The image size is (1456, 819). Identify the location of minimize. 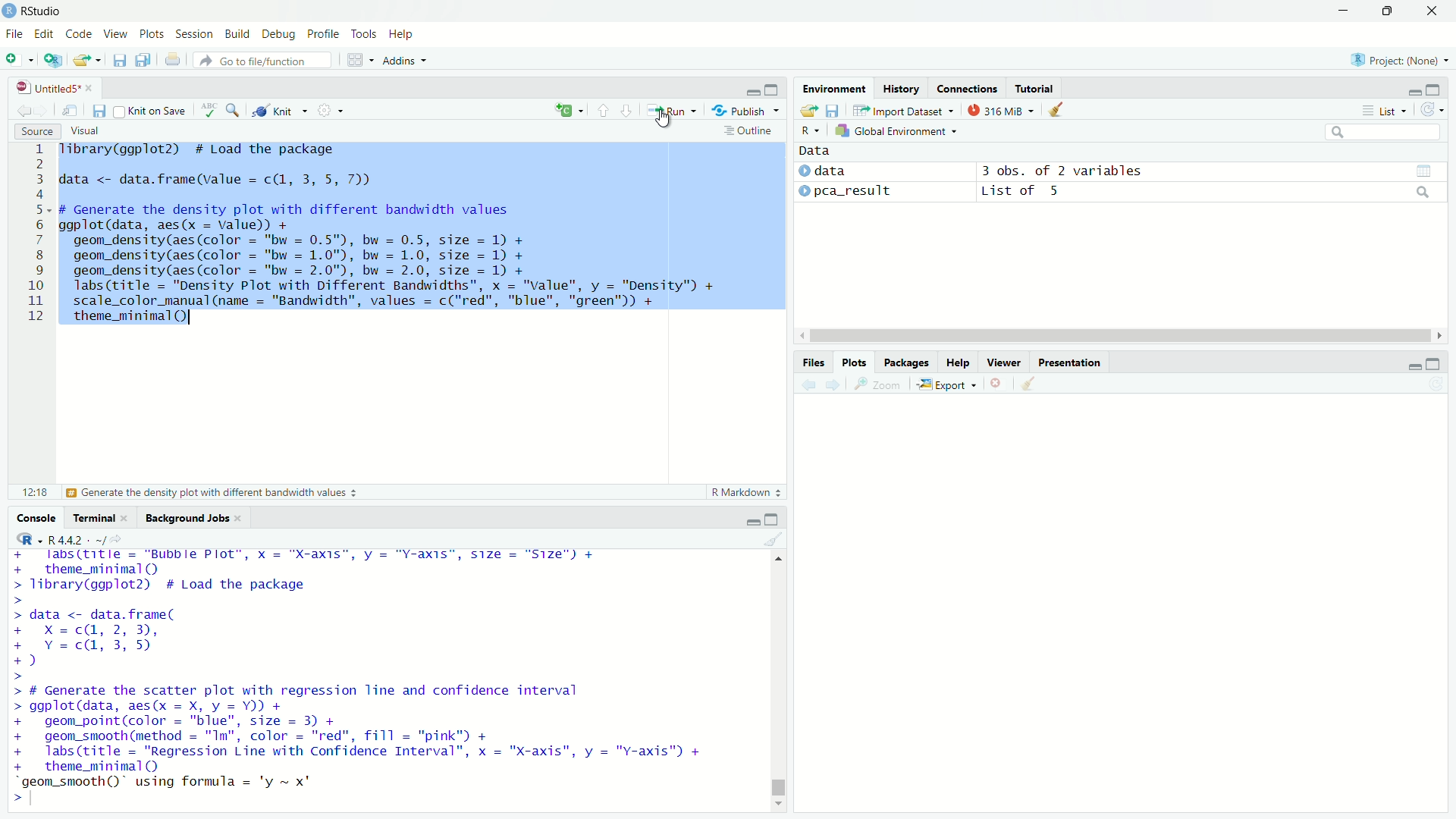
(1413, 93).